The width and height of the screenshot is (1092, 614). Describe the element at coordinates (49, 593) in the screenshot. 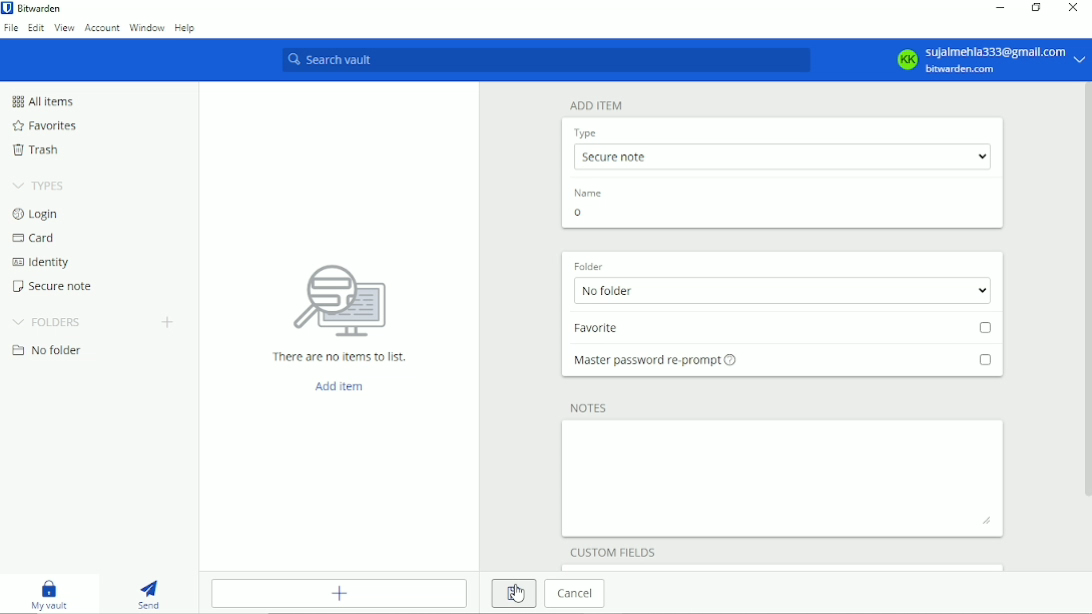

I see `My vault` at that location.